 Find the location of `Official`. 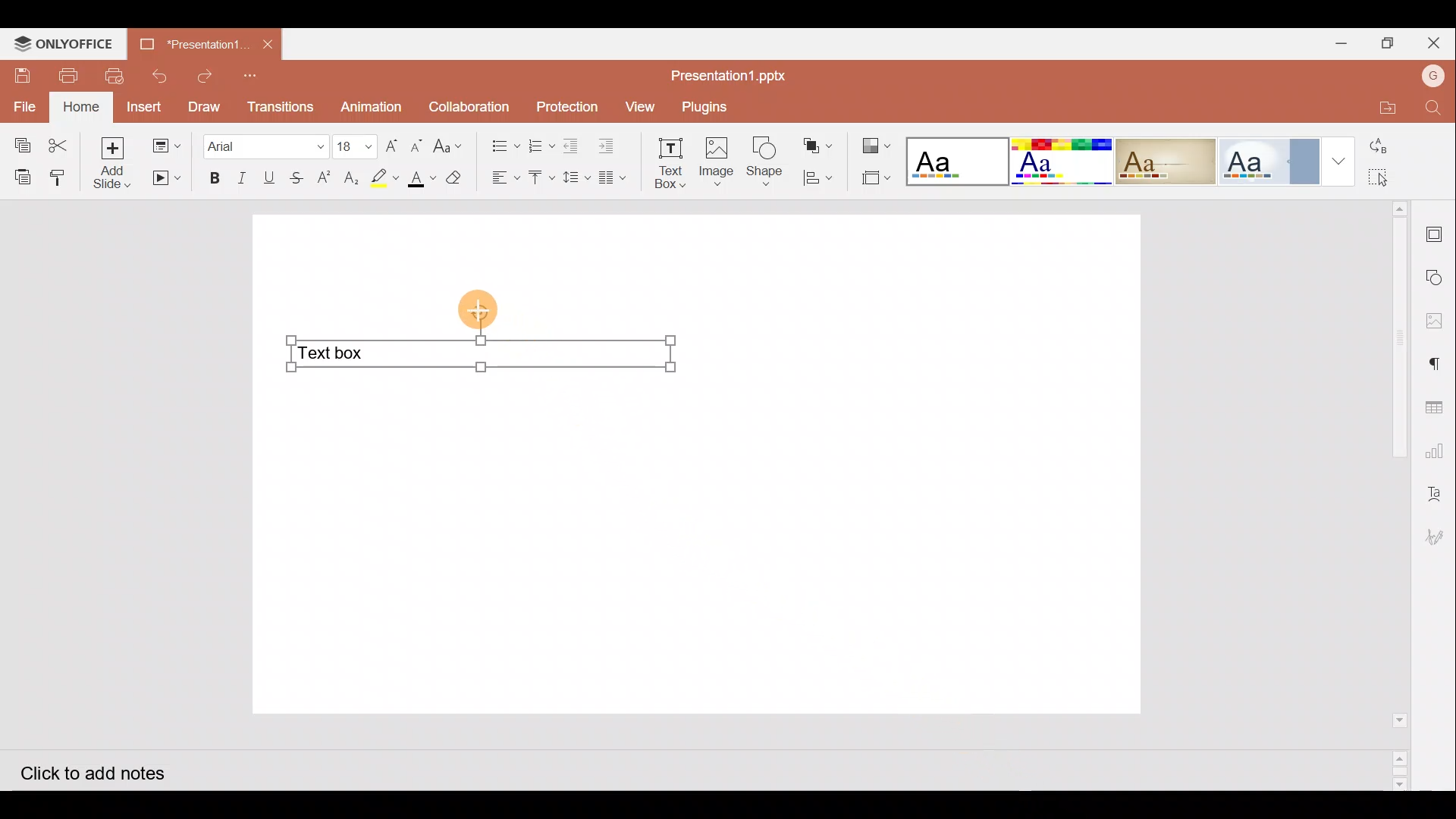

Official is located at coordinates (1268, 159).